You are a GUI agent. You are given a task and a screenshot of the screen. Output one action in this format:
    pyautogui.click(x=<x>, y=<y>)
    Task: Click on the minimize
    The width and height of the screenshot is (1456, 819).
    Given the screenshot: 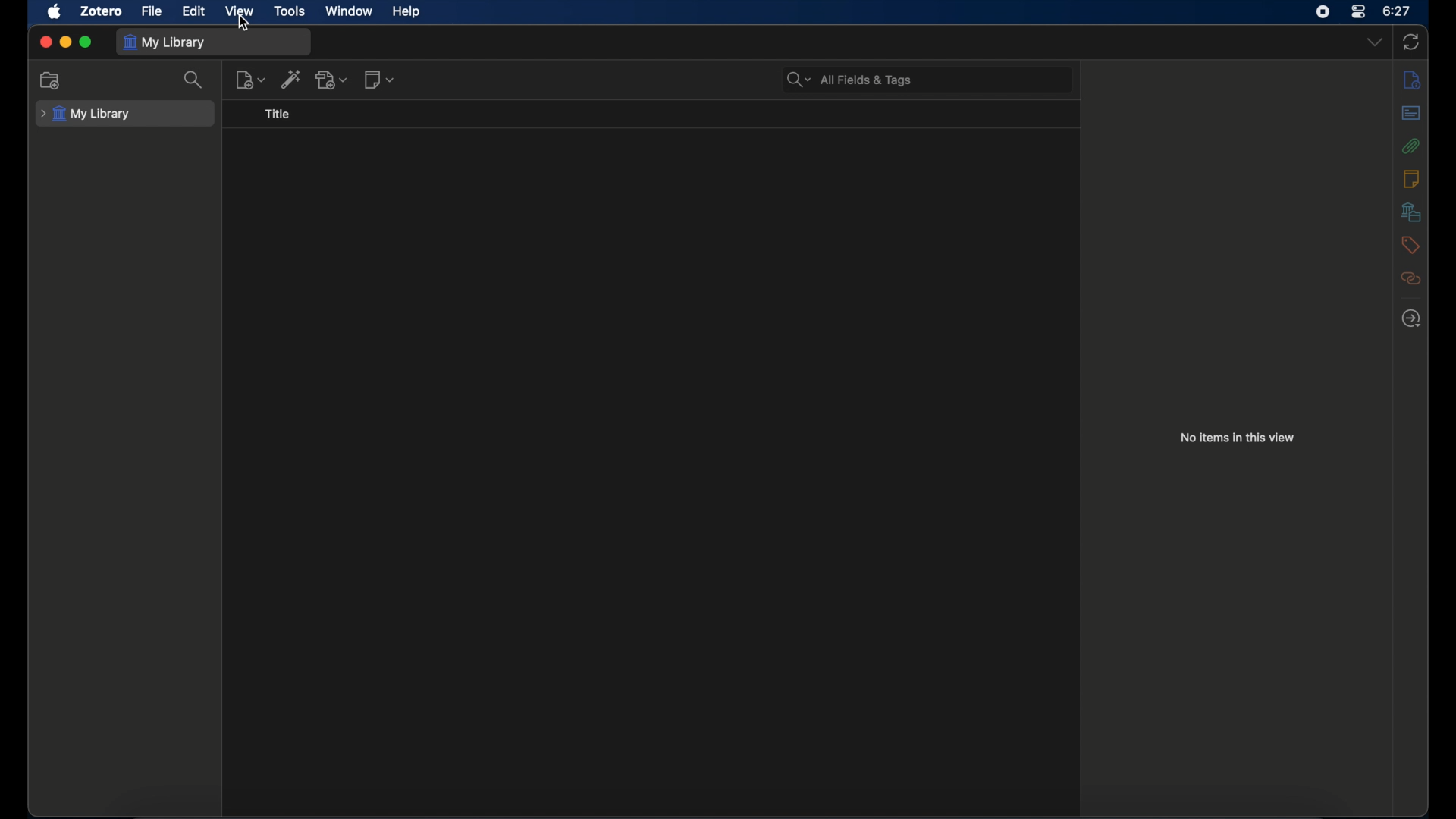 What is the action you would take?
    pyautogui.click(x=67, y=42)
    